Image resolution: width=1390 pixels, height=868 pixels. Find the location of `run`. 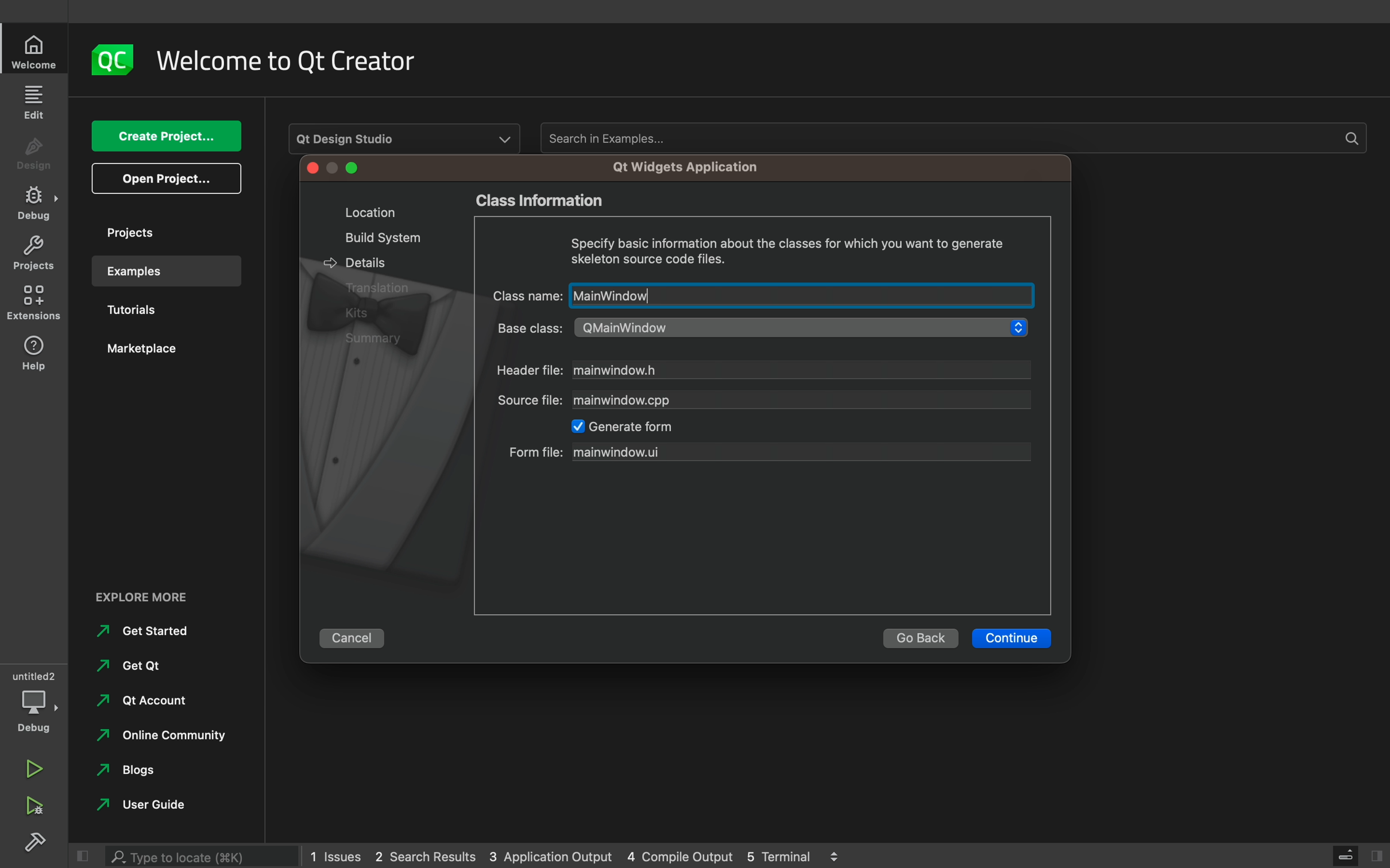

run is located at coordinates (34, 764).